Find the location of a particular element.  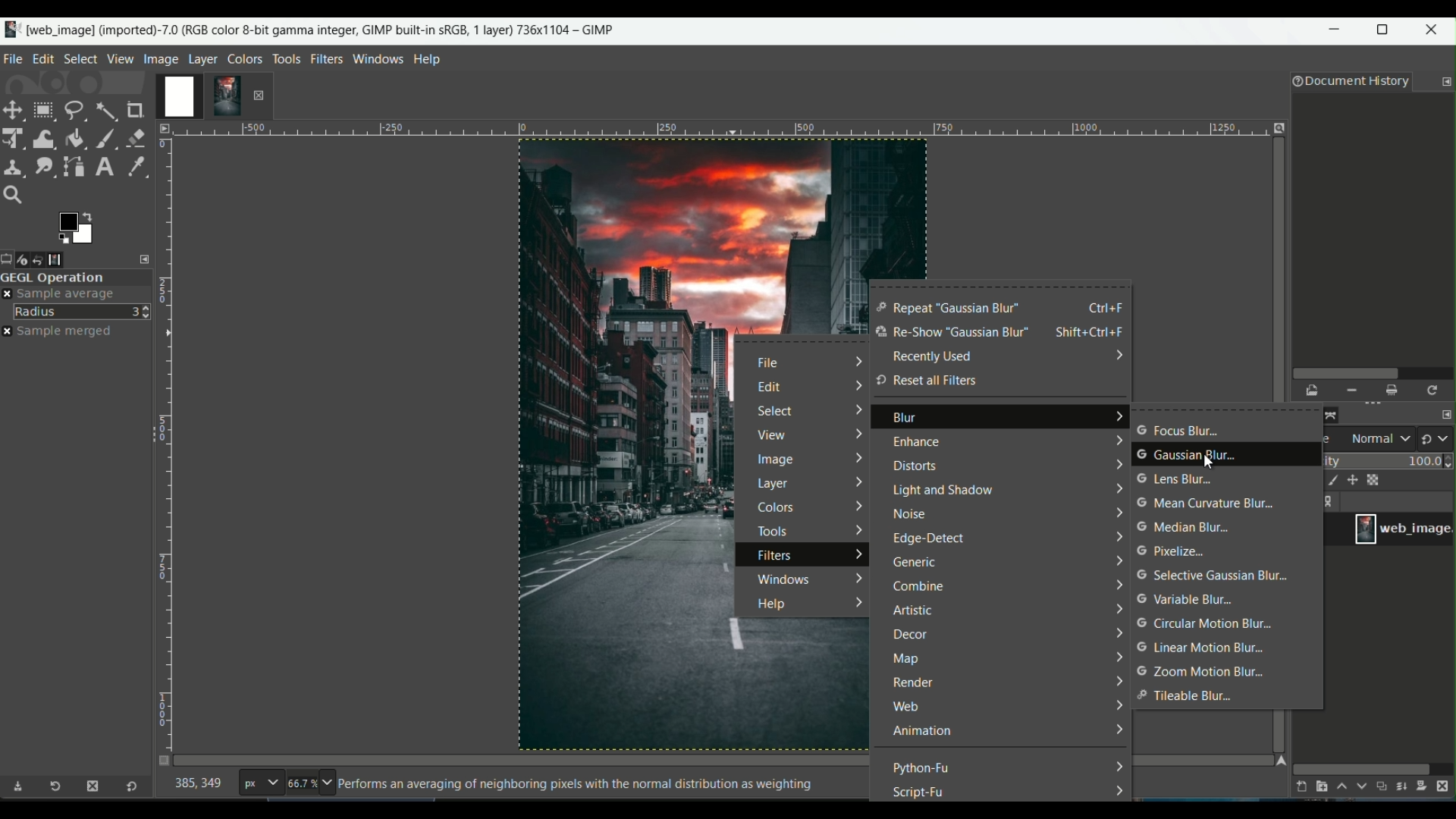

mode is located at coordinates (1370, 440).